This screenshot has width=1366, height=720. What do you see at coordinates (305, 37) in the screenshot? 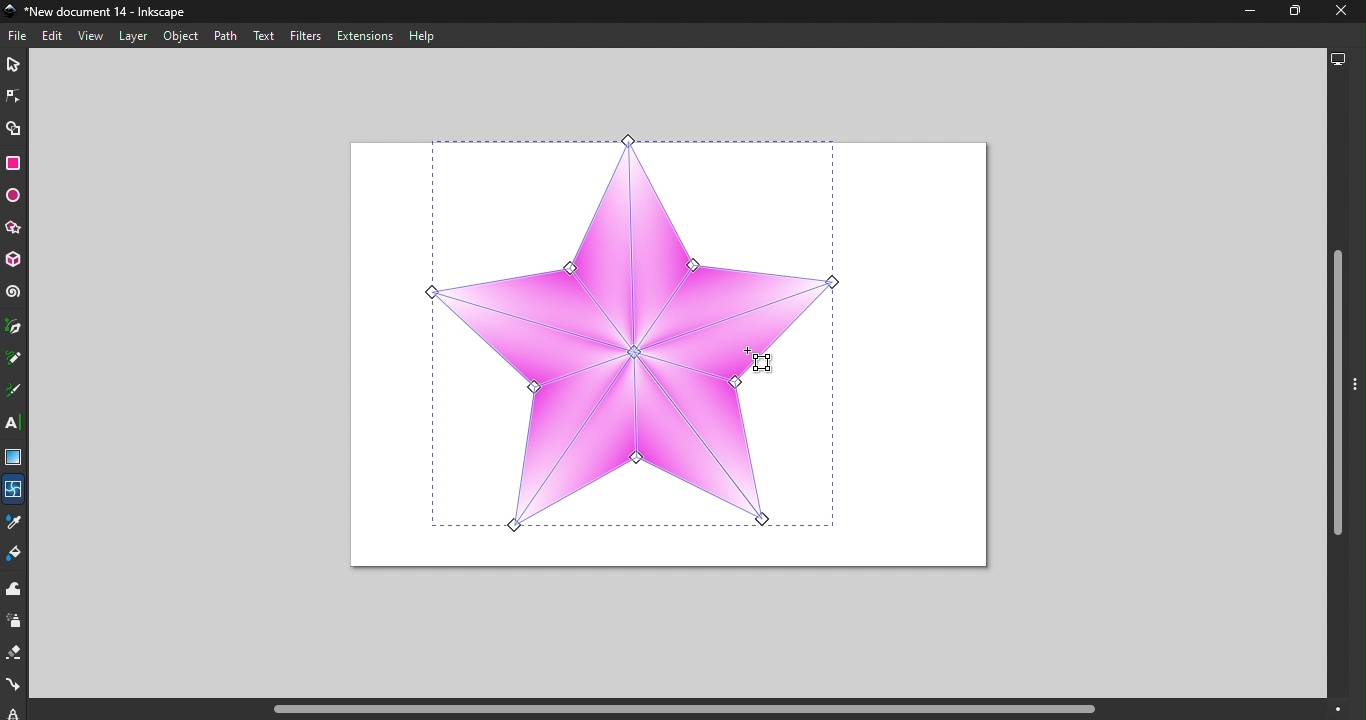
I see `Filters` at bounding box center [305, 37].